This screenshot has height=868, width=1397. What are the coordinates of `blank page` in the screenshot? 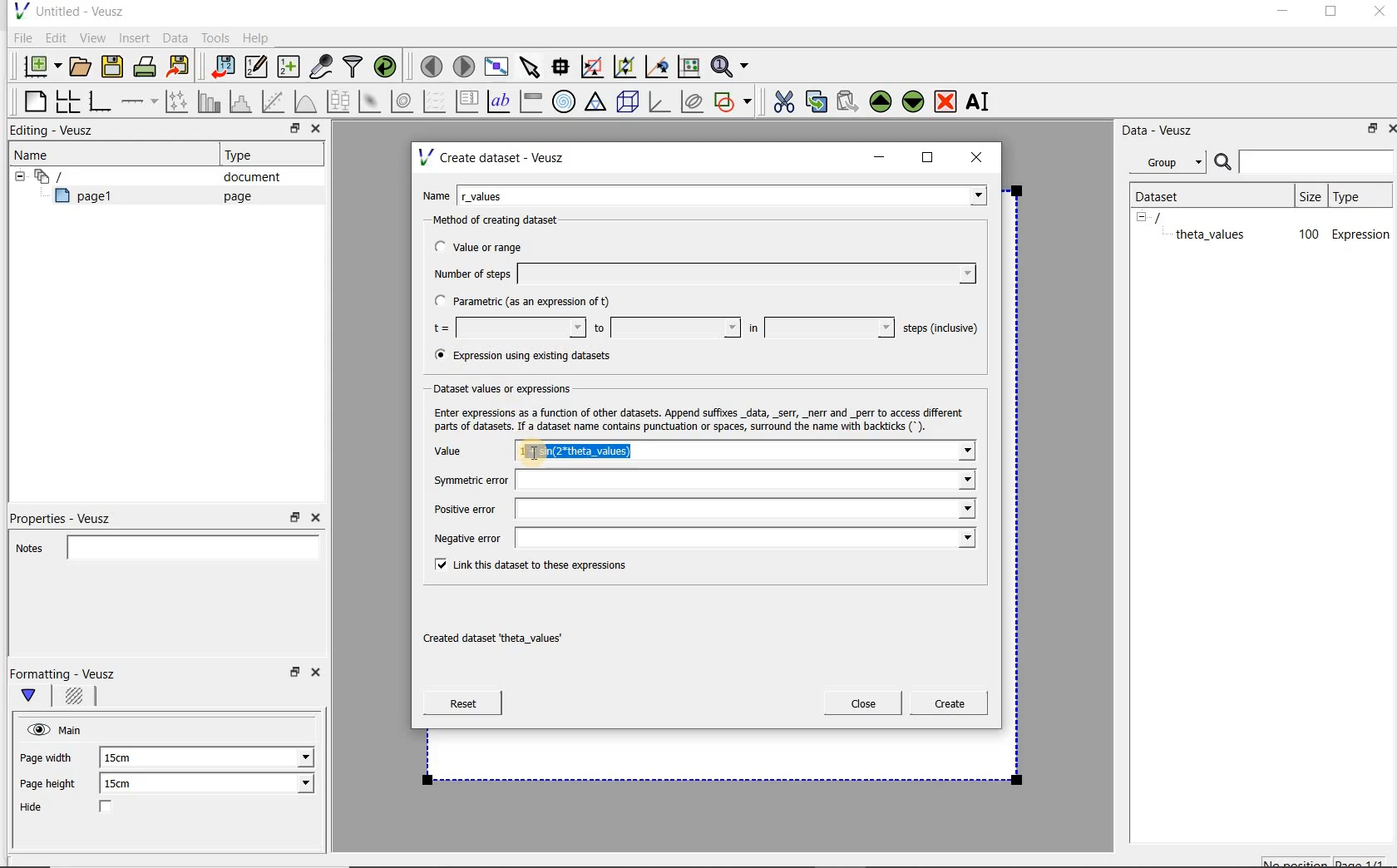 It's located at (32, 99).